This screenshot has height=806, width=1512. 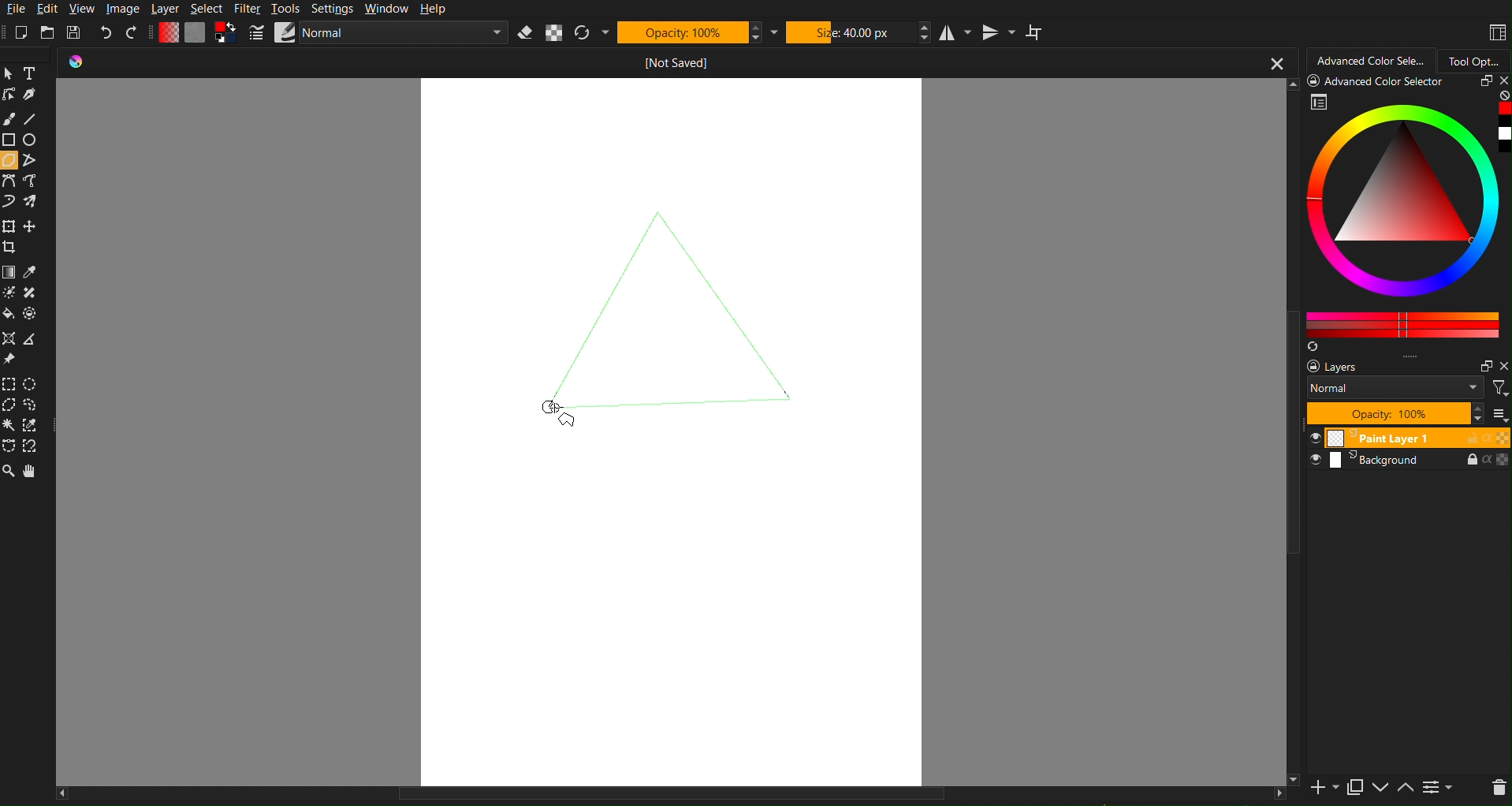 I want to click on edit shapes tool, so click(x=11, y=97).